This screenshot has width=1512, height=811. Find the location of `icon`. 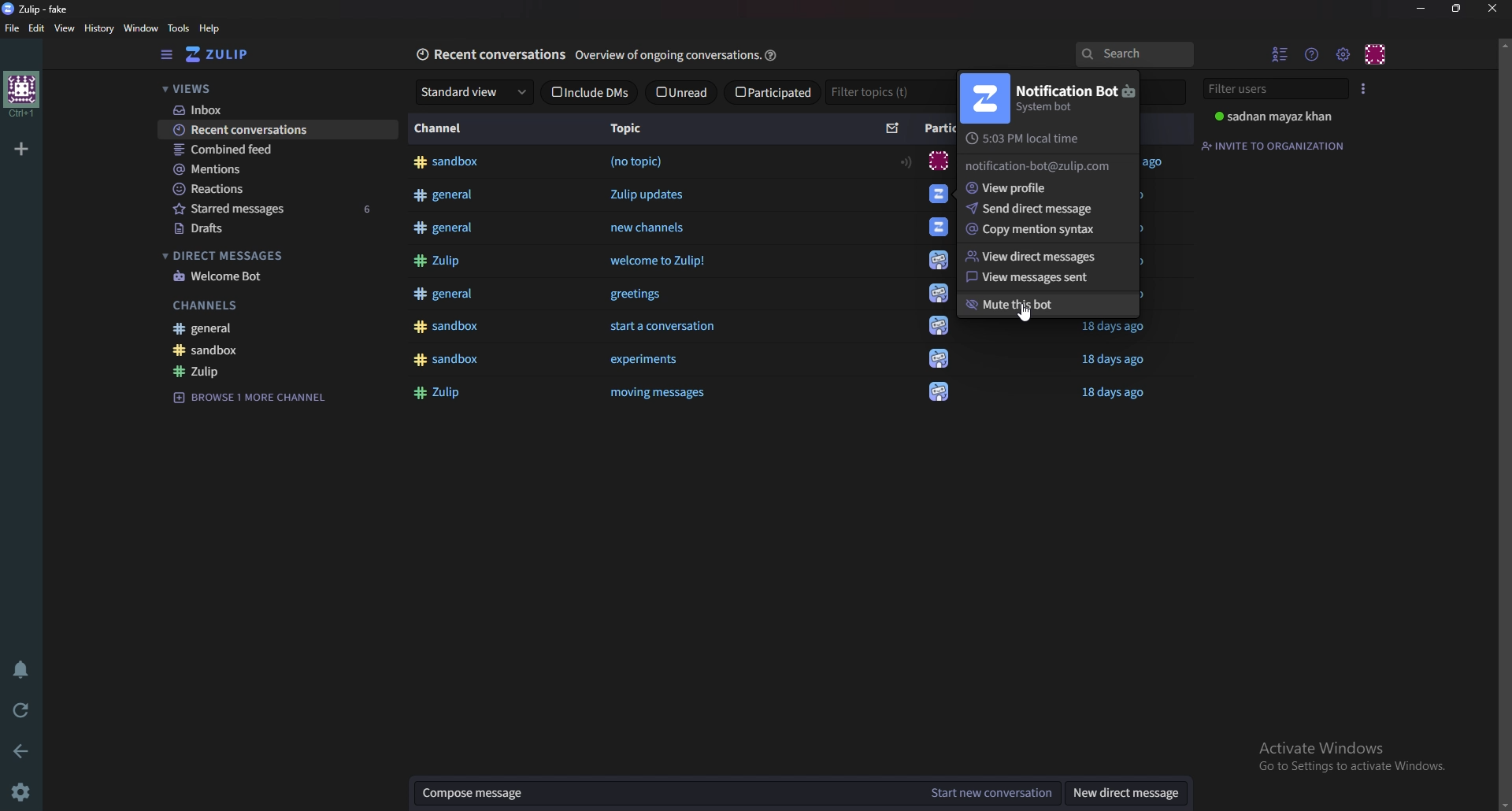

icon is located at coordinates (938, 194).